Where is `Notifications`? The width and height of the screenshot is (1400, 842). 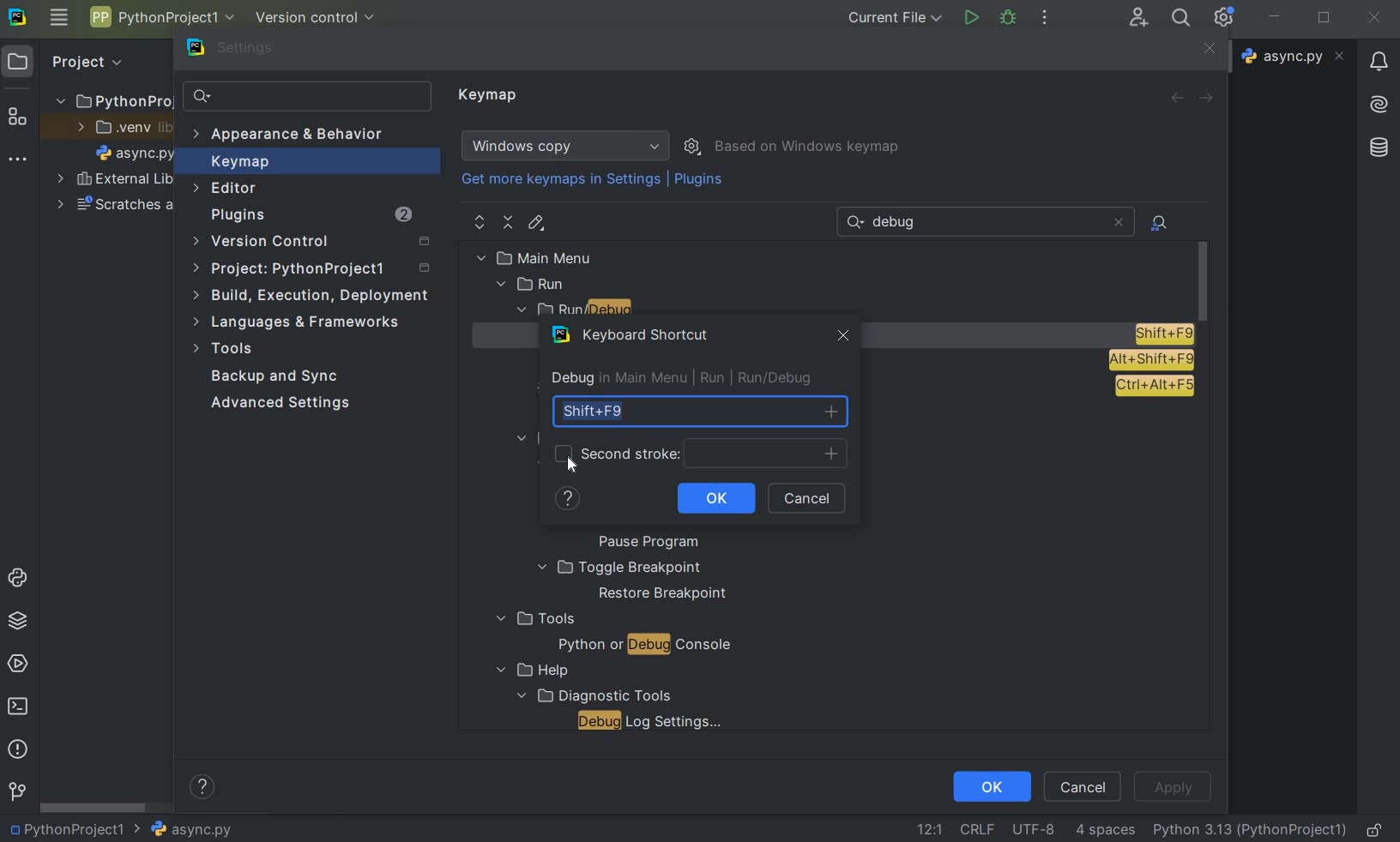
Notifications is located at coordinates (1377, 56).